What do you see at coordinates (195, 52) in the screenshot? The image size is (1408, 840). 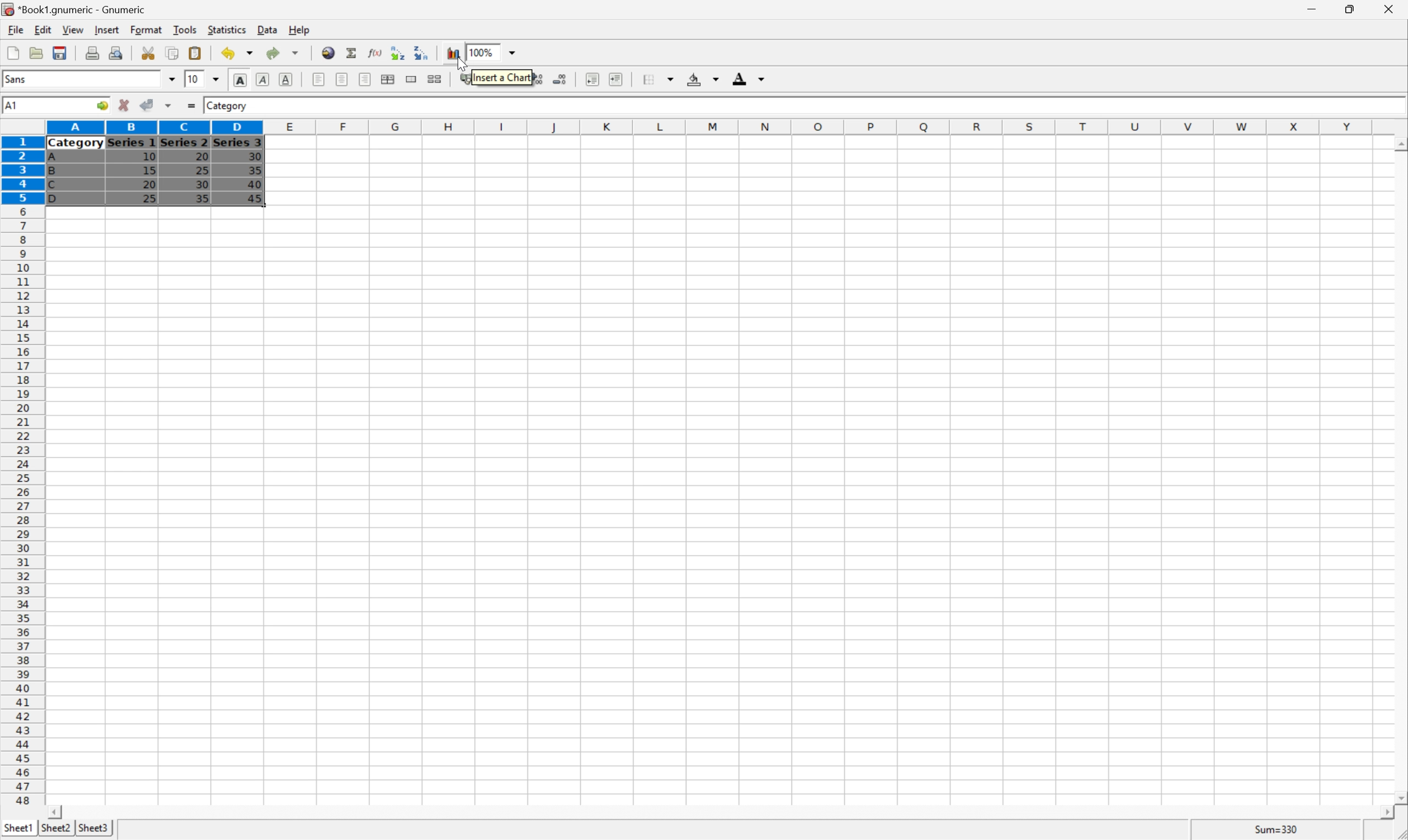 I see `Paste clipboard` at bounding box center [195, 52].